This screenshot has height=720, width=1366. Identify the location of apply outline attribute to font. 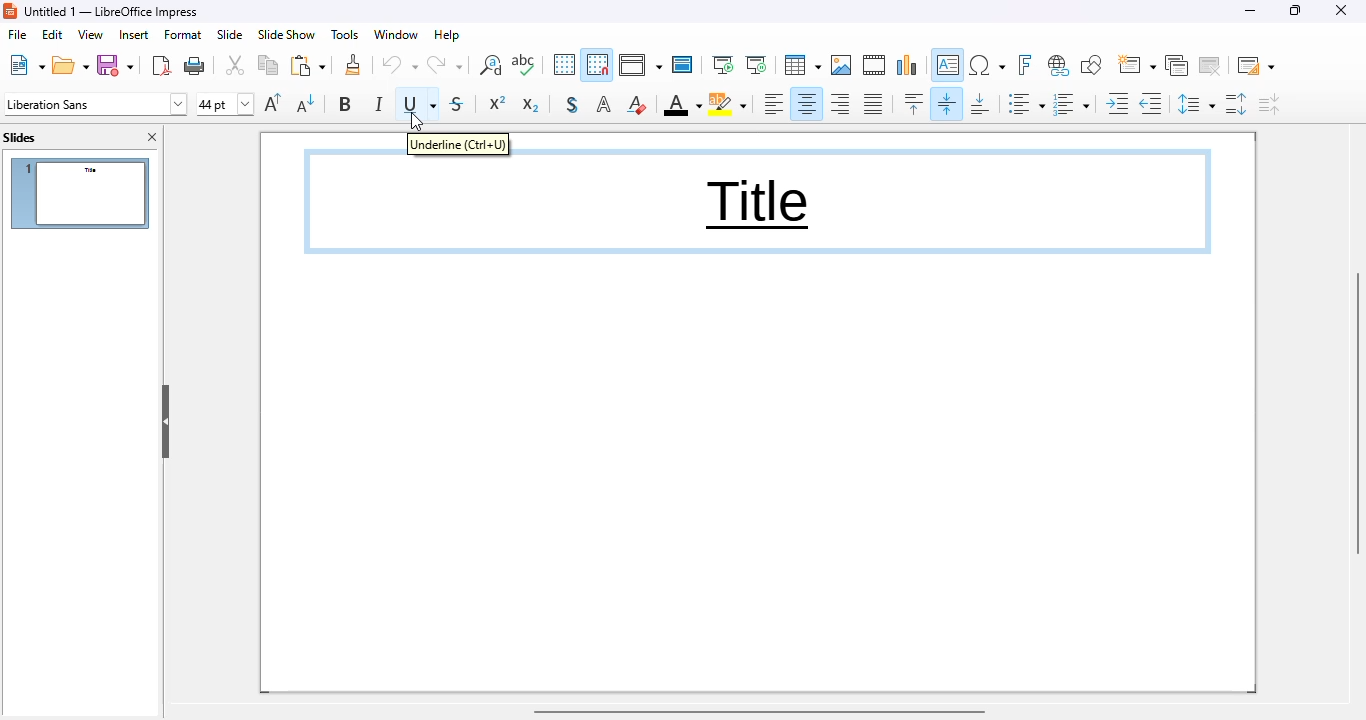
(605, 104).